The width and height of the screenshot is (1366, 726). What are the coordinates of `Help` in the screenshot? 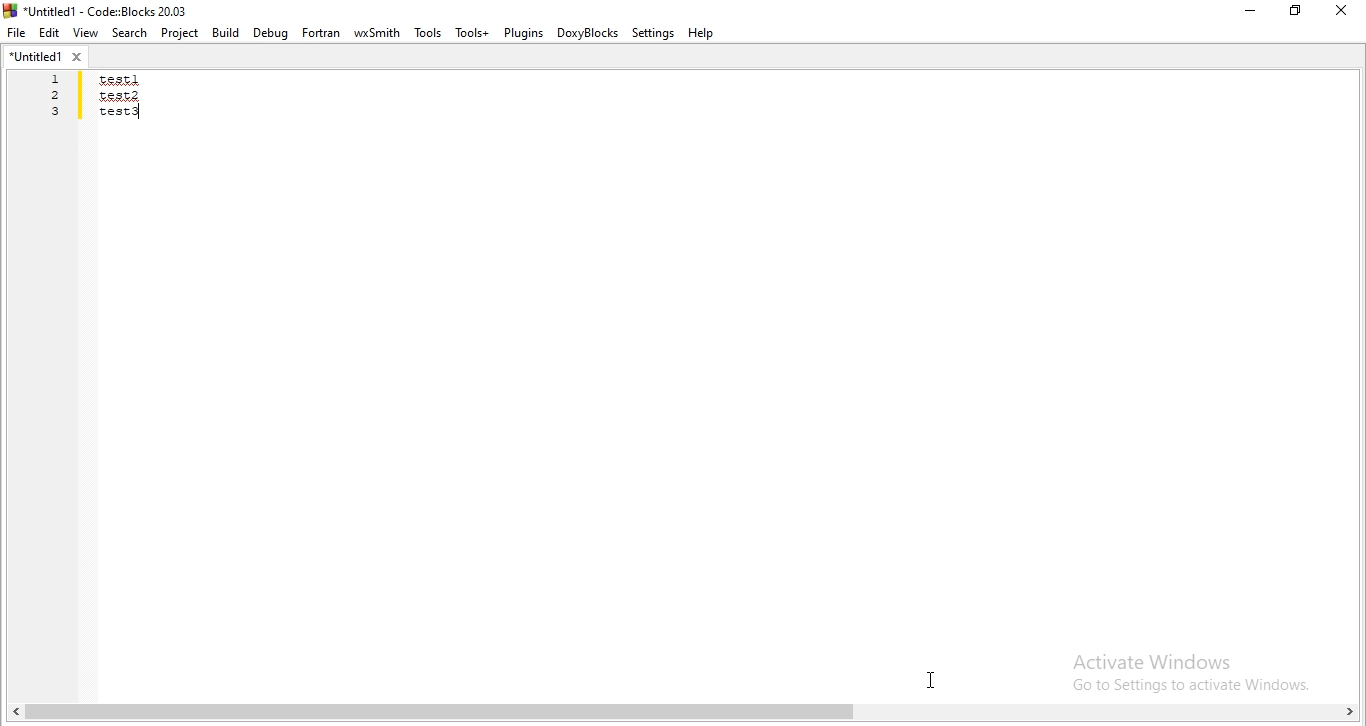 It's located at (702, 34).